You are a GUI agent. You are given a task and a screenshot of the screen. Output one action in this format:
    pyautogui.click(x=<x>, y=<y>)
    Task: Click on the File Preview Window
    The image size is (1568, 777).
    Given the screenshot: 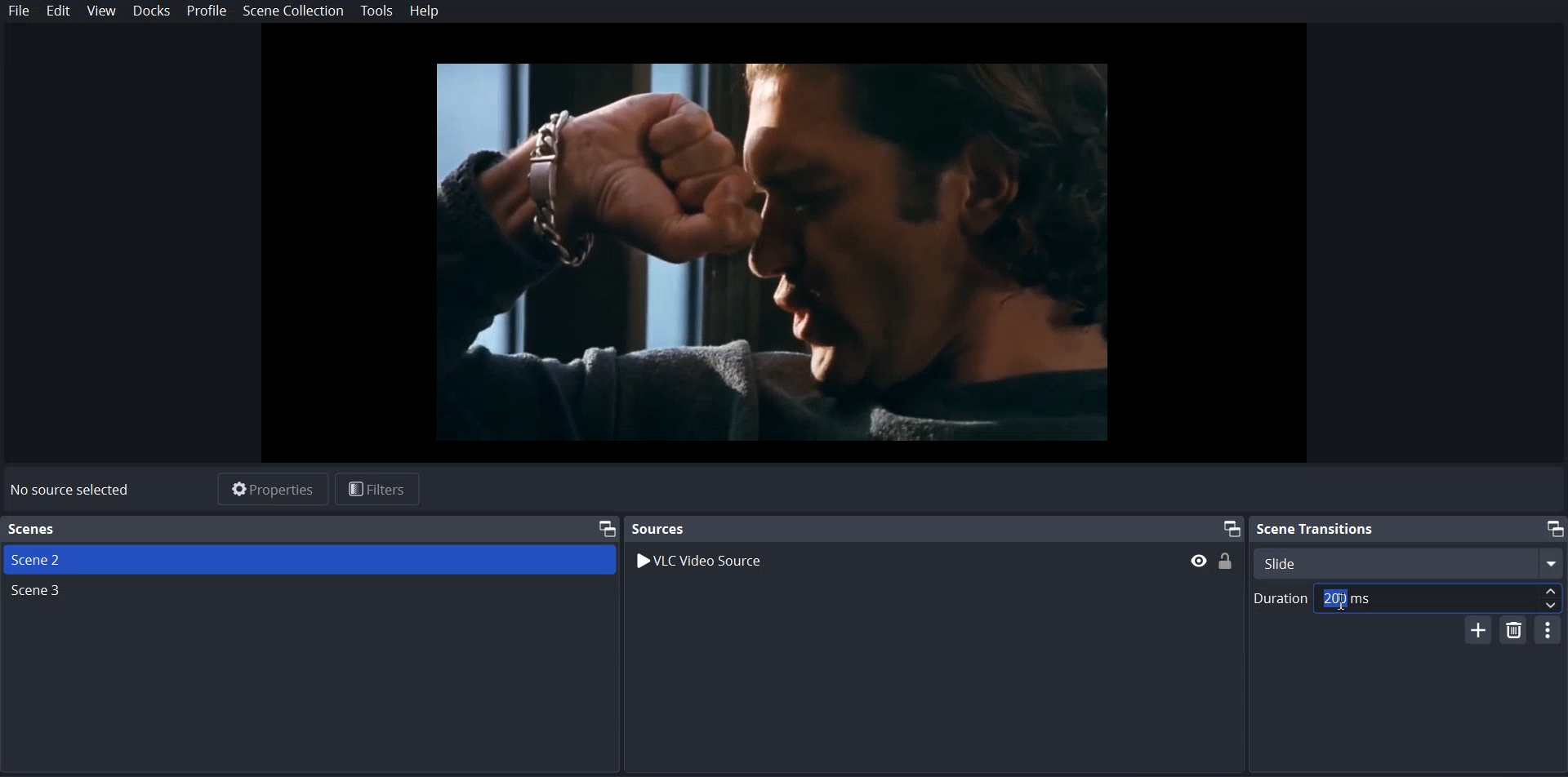 What is the action you would take?
    pyautogui.click(x=769, y=253)
    